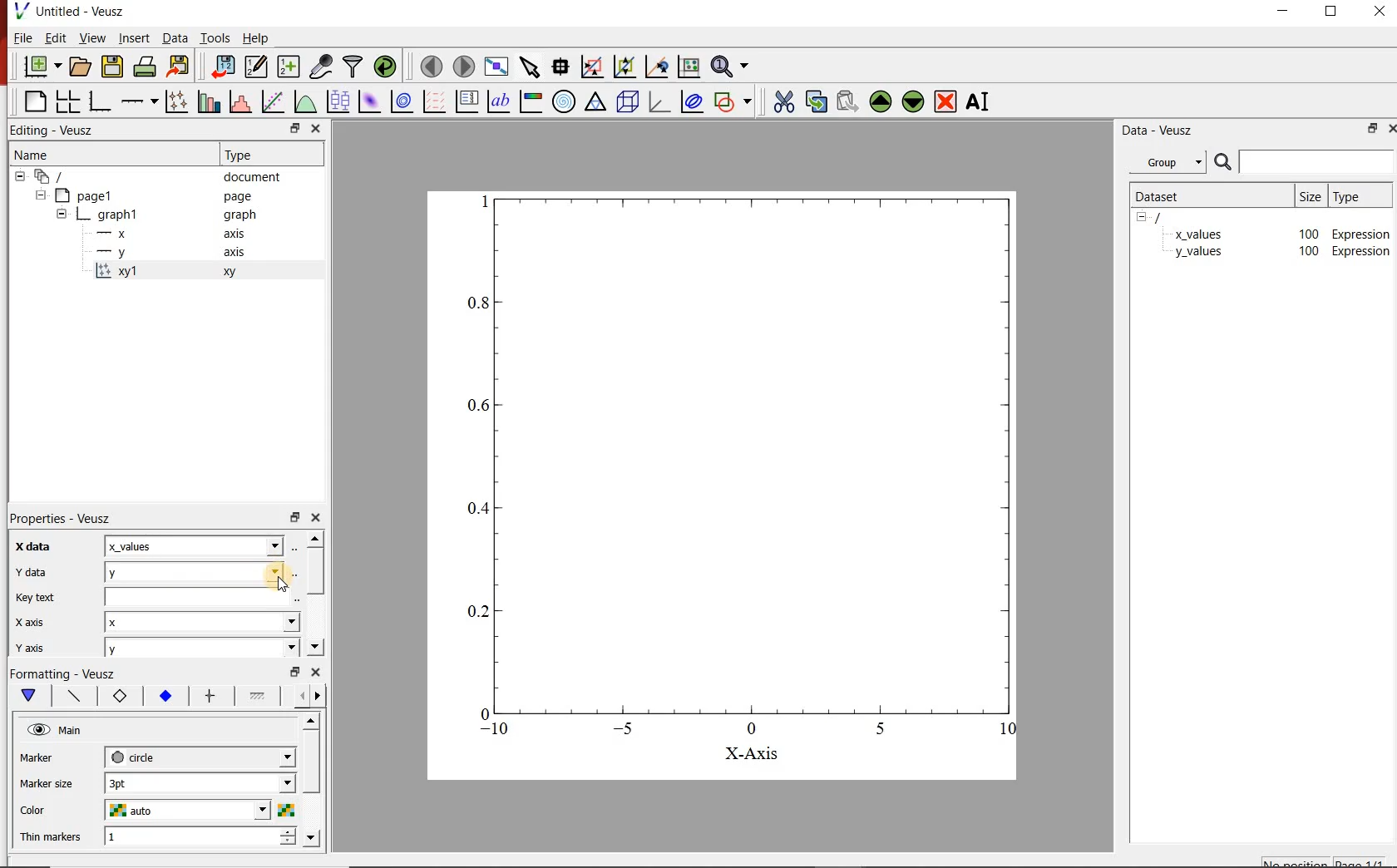  Describe the element at coordinates (353, 67) in the screenshot. I see `filter data` at that location.